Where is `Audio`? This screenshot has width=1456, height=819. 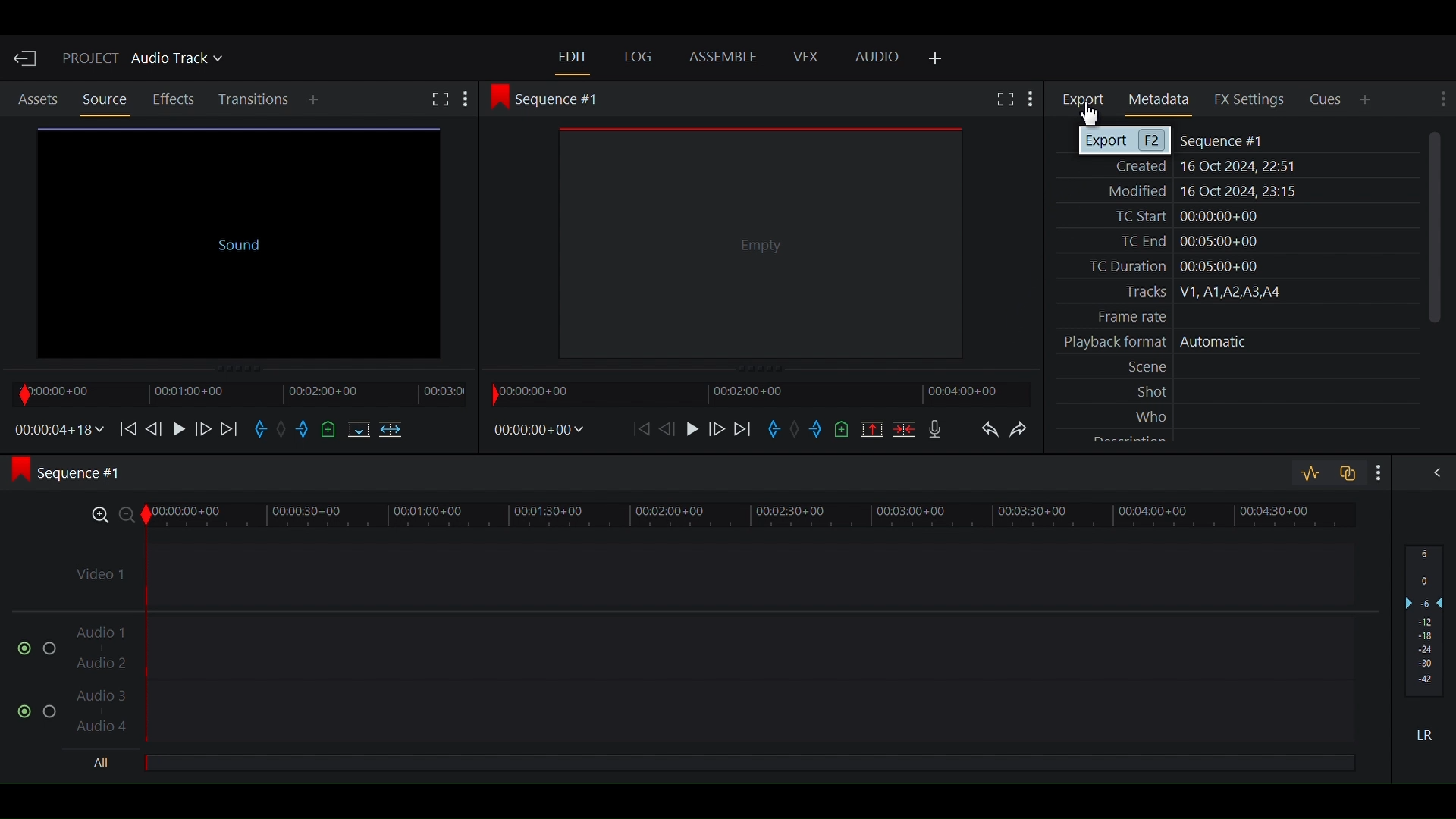
Audio is located at coordinates (877, 58).